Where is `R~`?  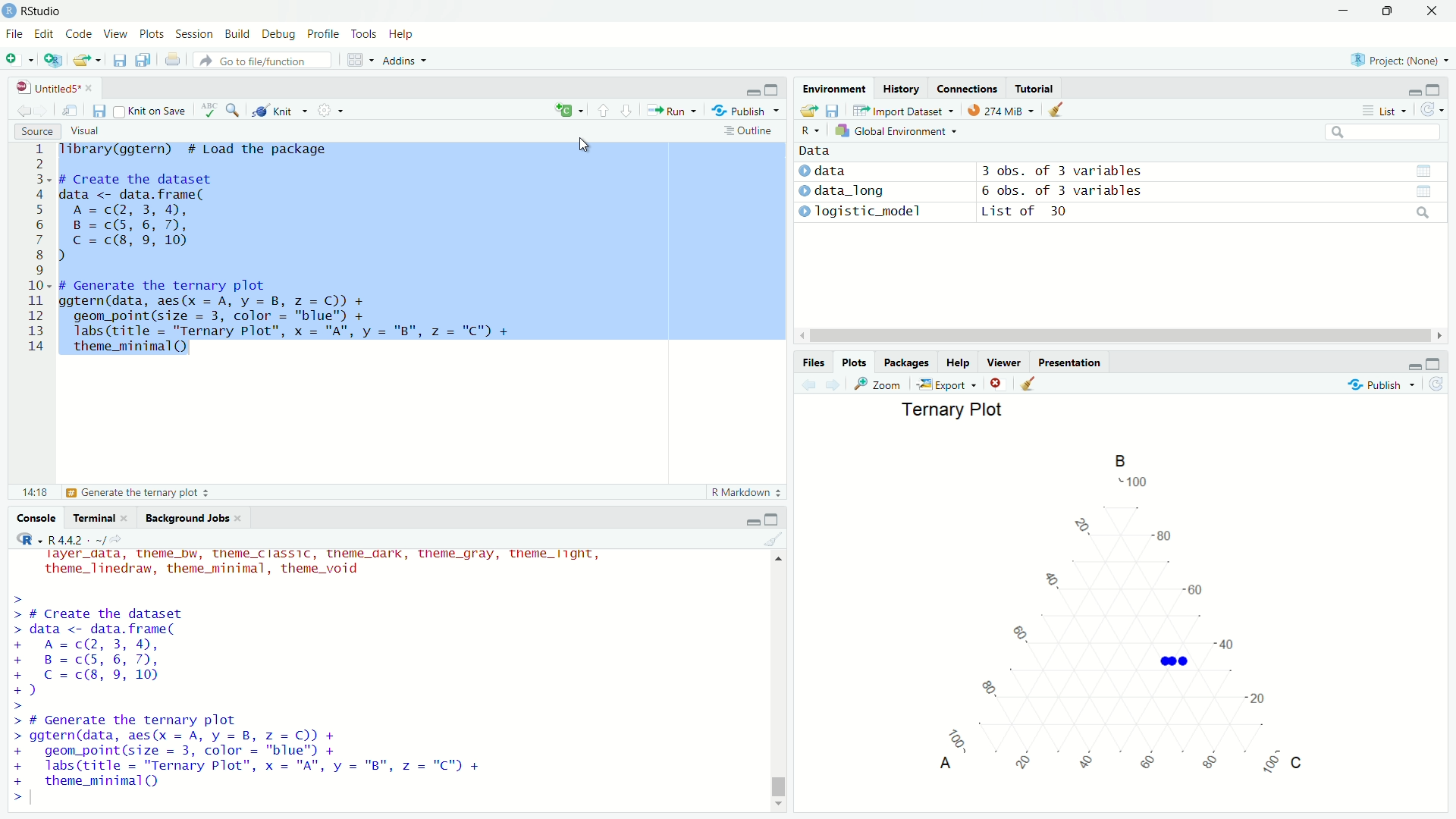 R~ is located at coordinates (808, 129).